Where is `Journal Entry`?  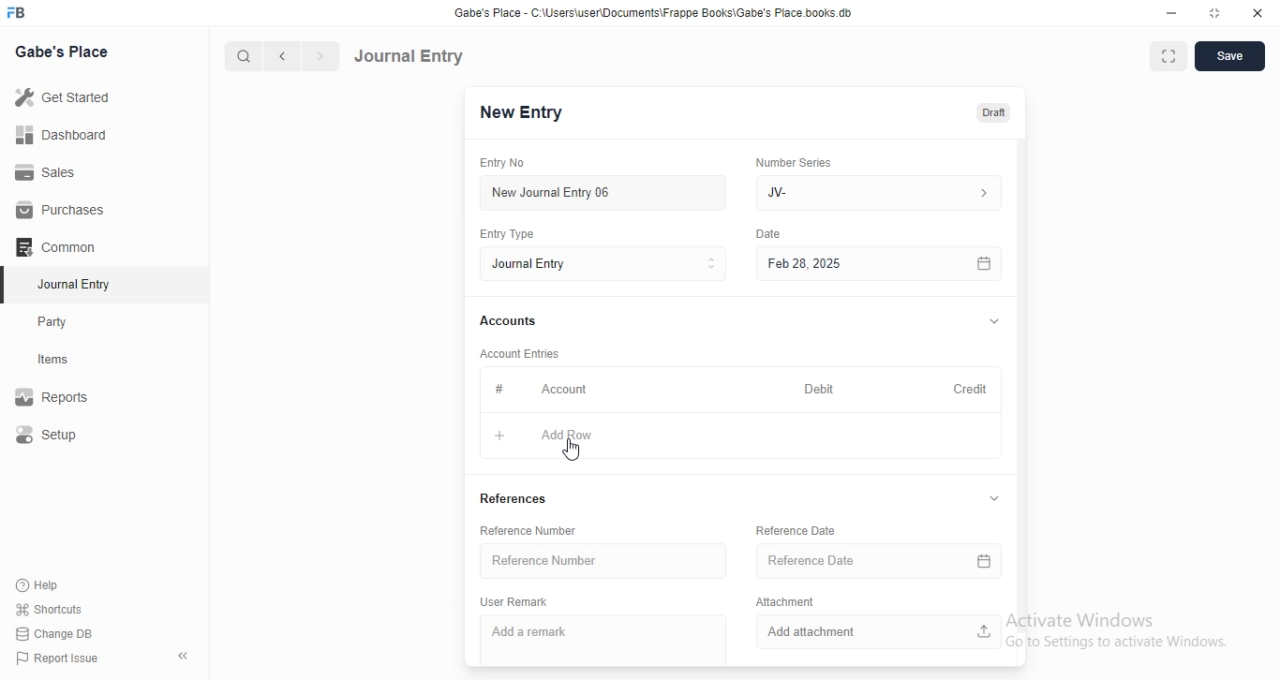
Journal Entry is located at coordinates (410, 55).